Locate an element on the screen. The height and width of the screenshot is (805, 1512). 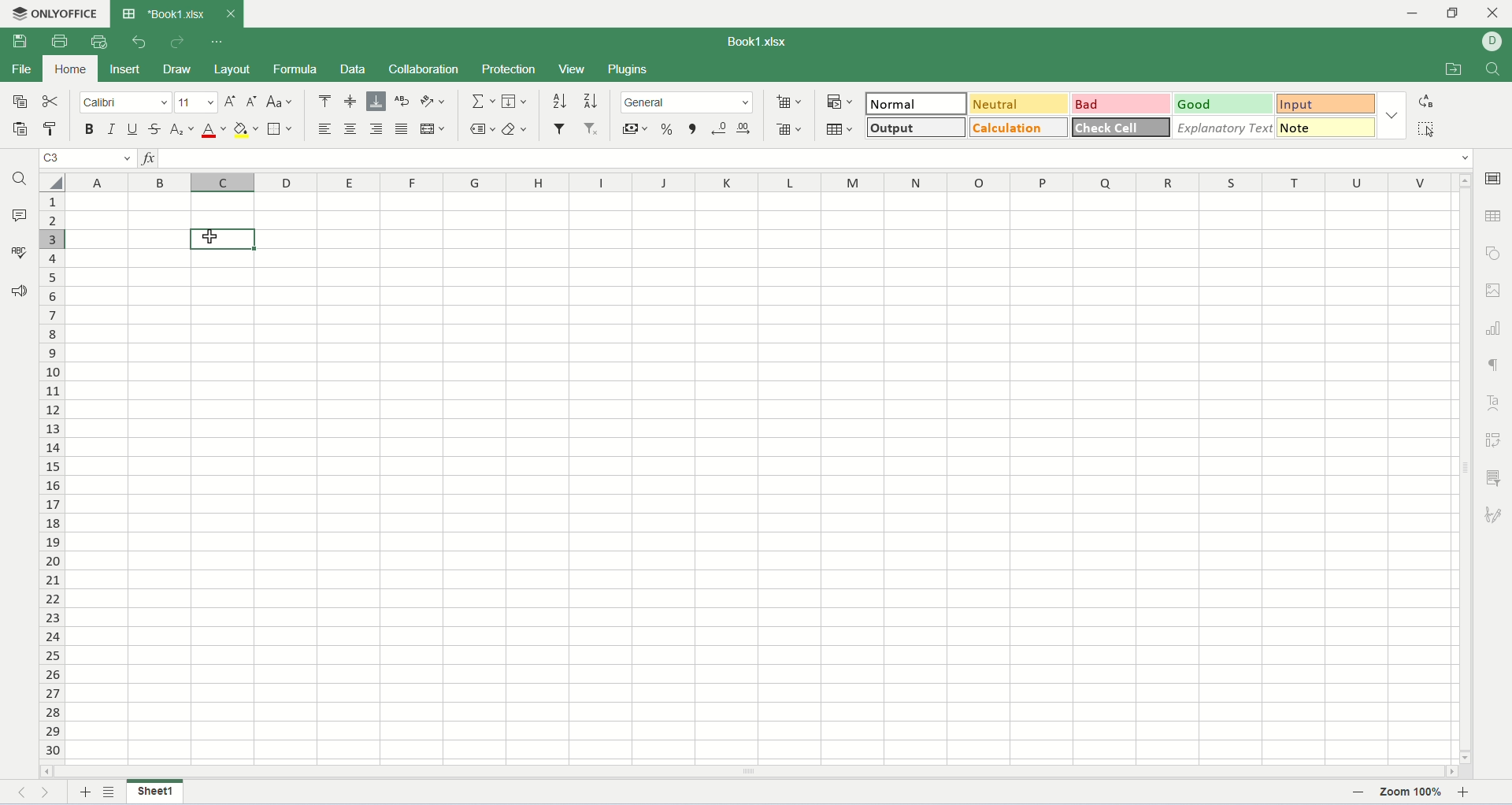
close is located at coordinates (1495, 12).